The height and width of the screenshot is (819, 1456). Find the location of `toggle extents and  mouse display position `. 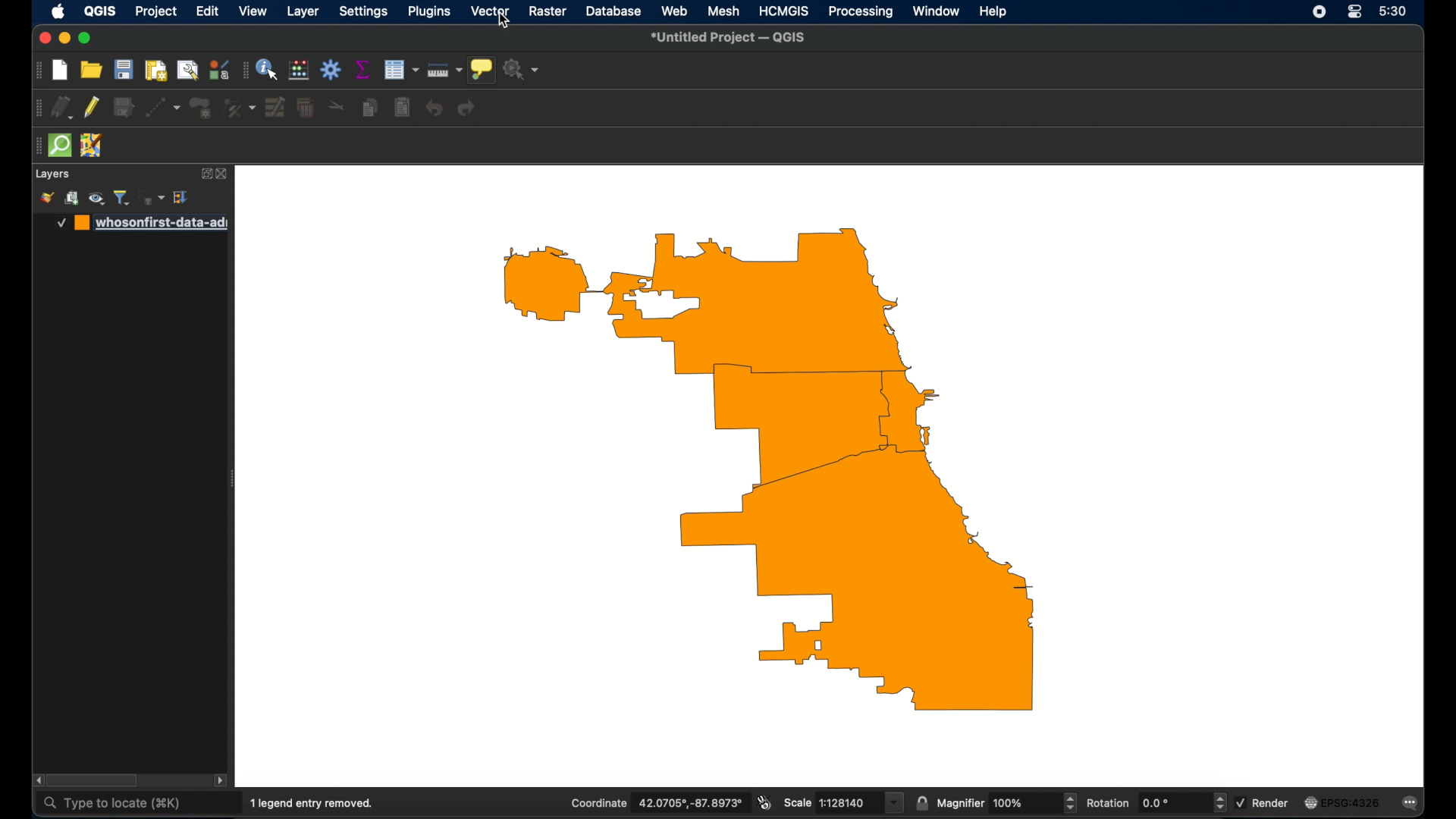

toggle extents and  mouse display position  is located at coordinates (764, 802).